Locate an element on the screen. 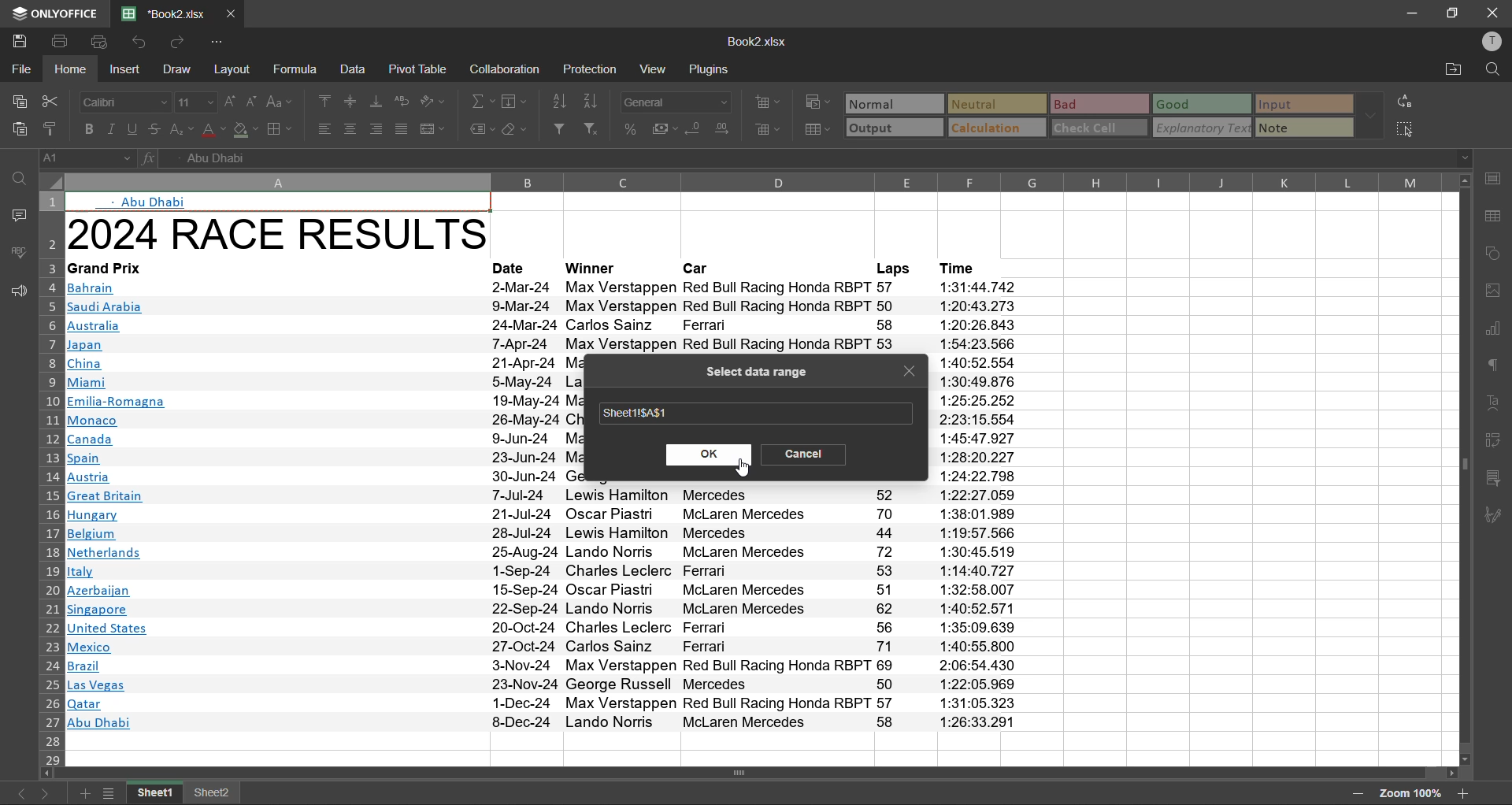  align middle is located at coordinates (347, 101).